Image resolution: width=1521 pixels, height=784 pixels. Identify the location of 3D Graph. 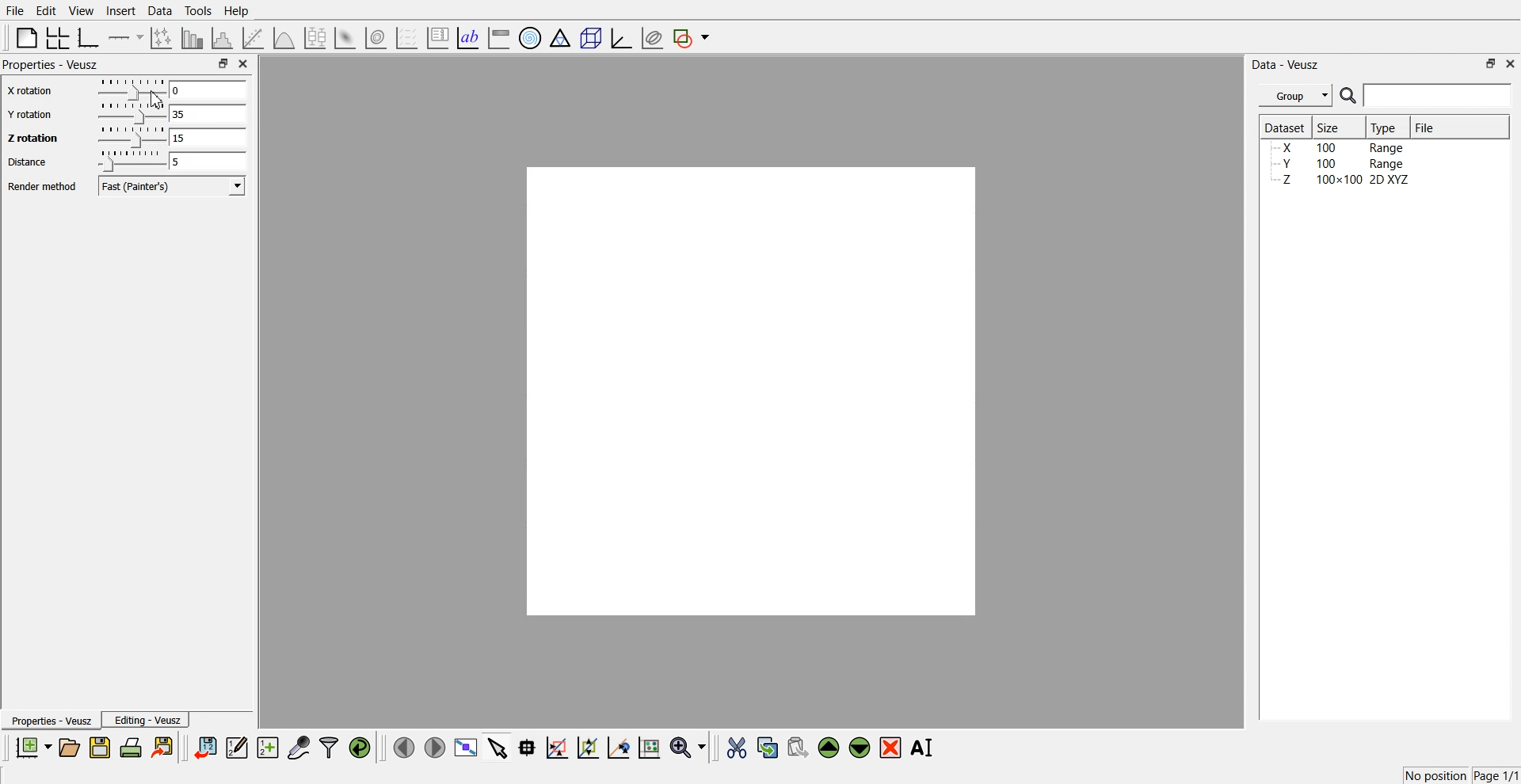
(621, 38).